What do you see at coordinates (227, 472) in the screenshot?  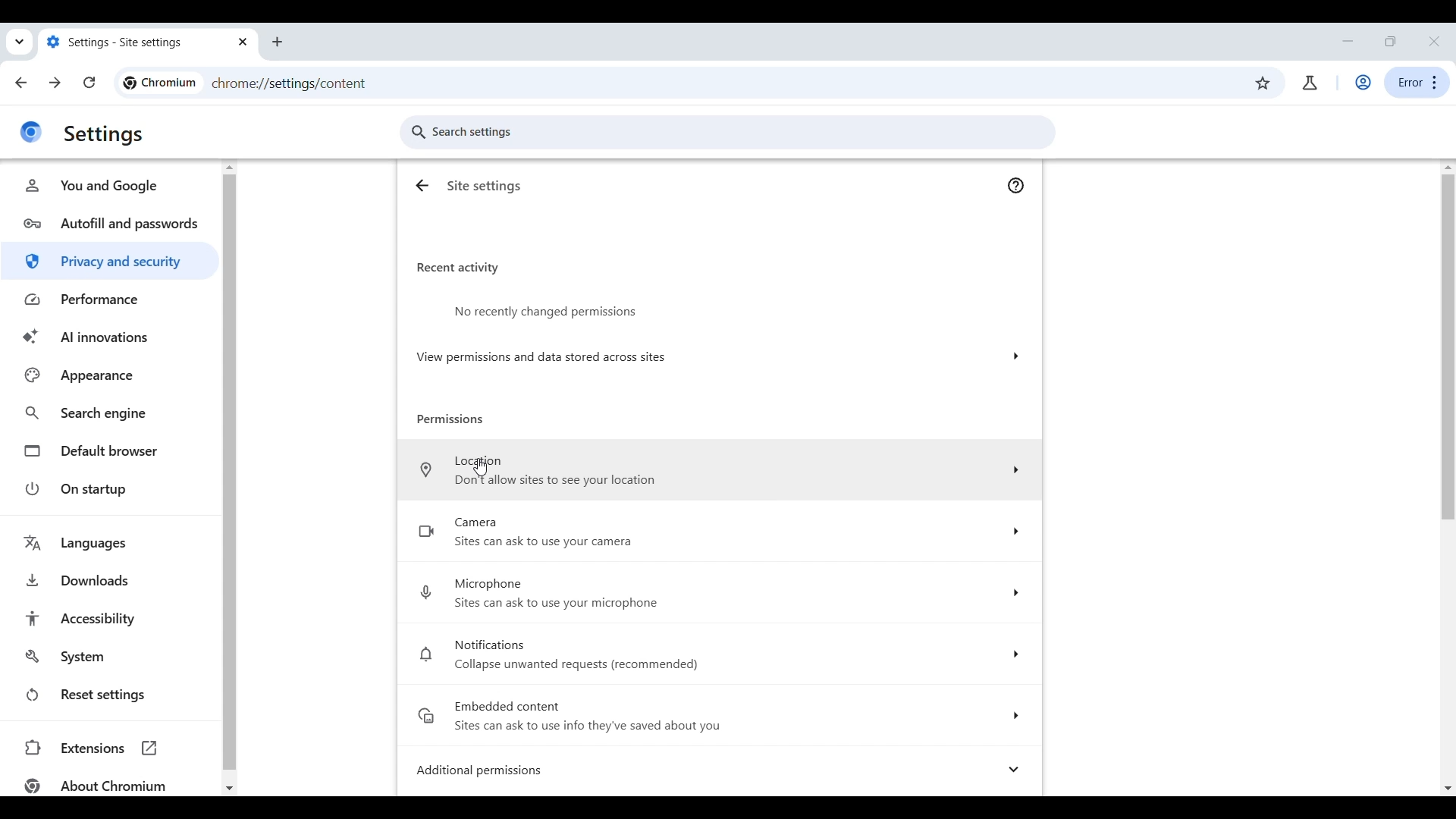 I see `Vertical slide bar` at bounding box center [227, 472].